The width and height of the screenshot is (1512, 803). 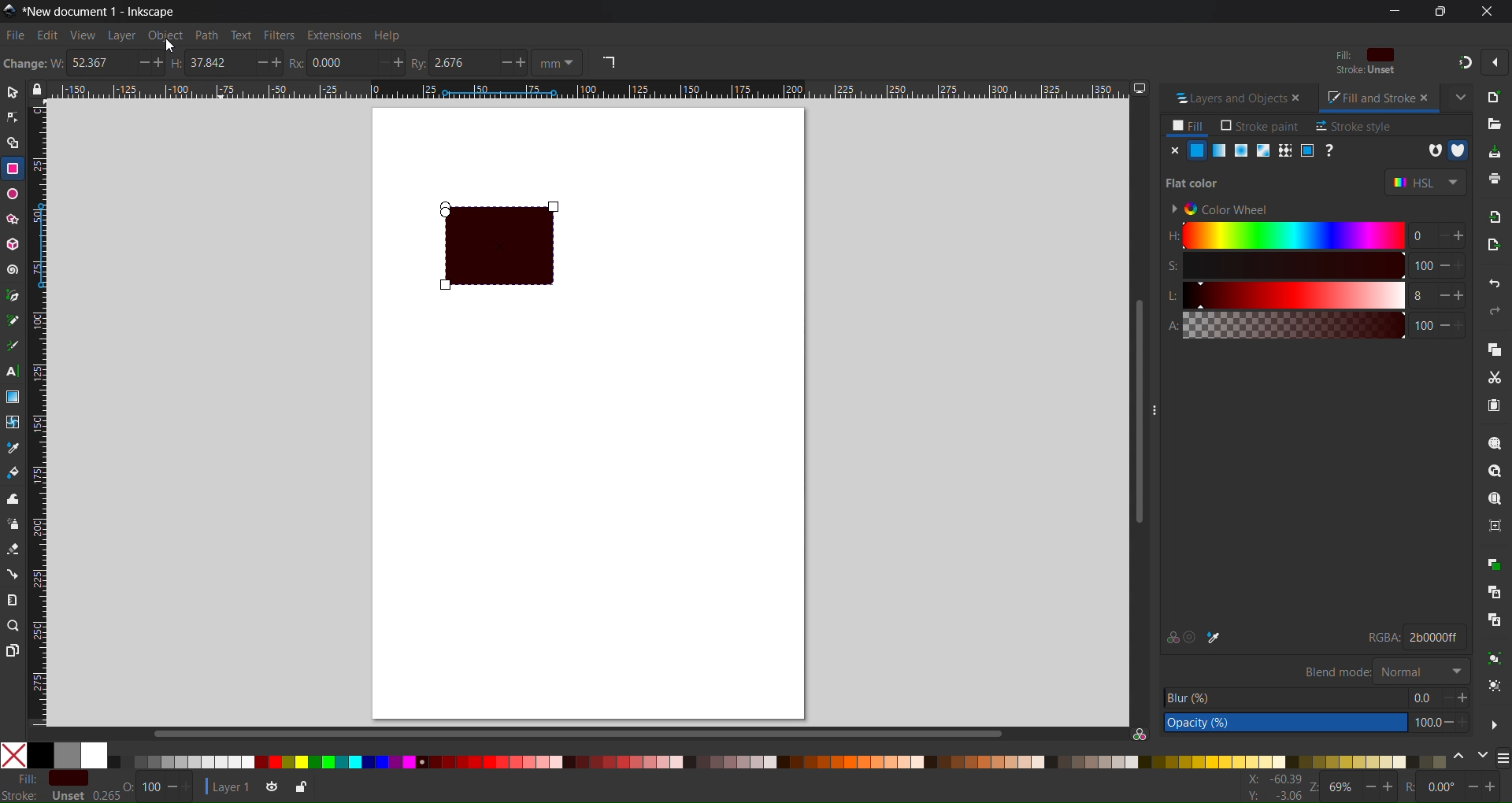 What do you see at coordinates (1285, 723) in the screenshot?
I see `edit Opacity level` at bounding box center [1285, 723].